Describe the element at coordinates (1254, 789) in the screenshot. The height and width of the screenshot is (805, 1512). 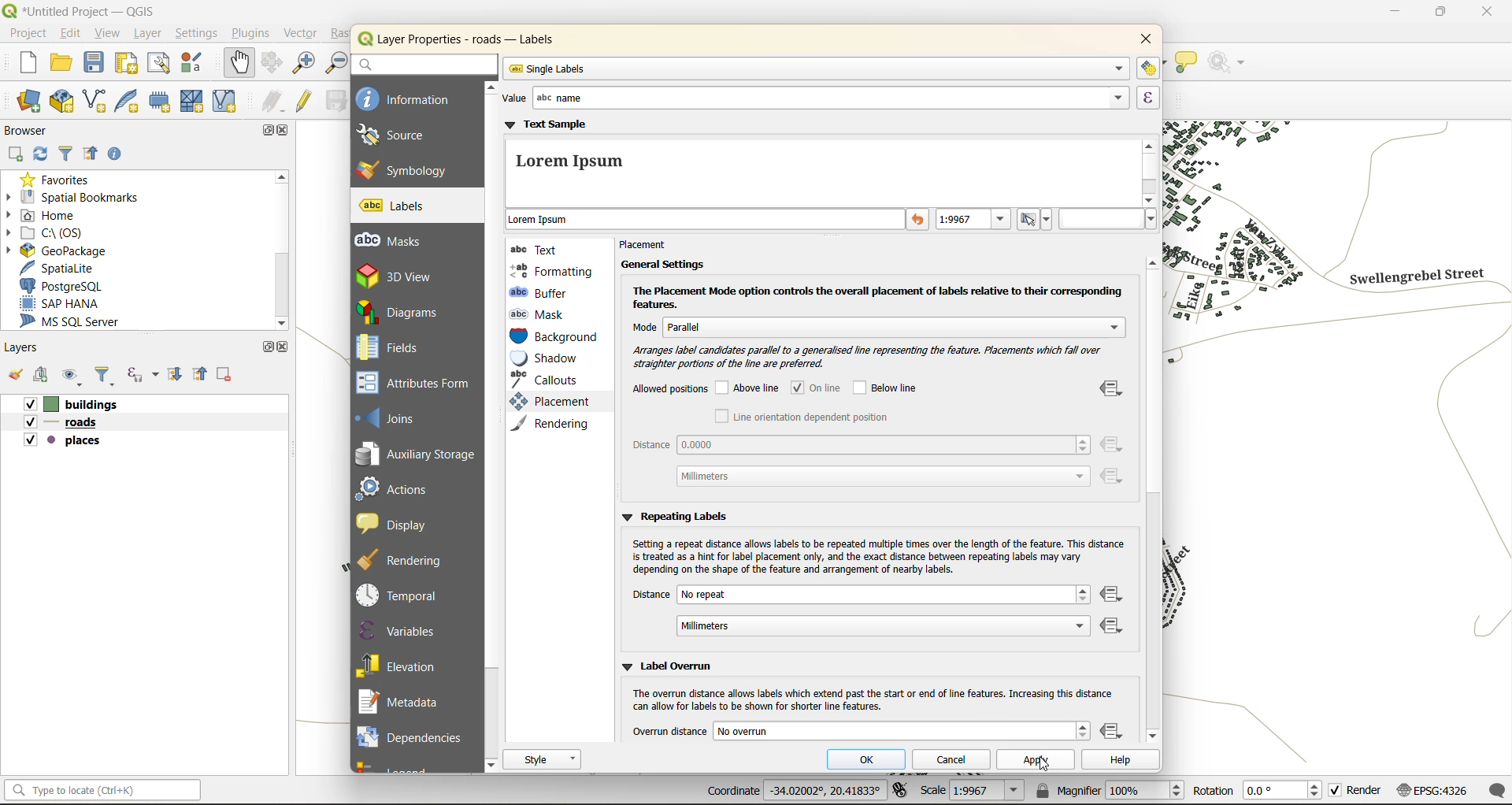
I see `rotation` at that location.